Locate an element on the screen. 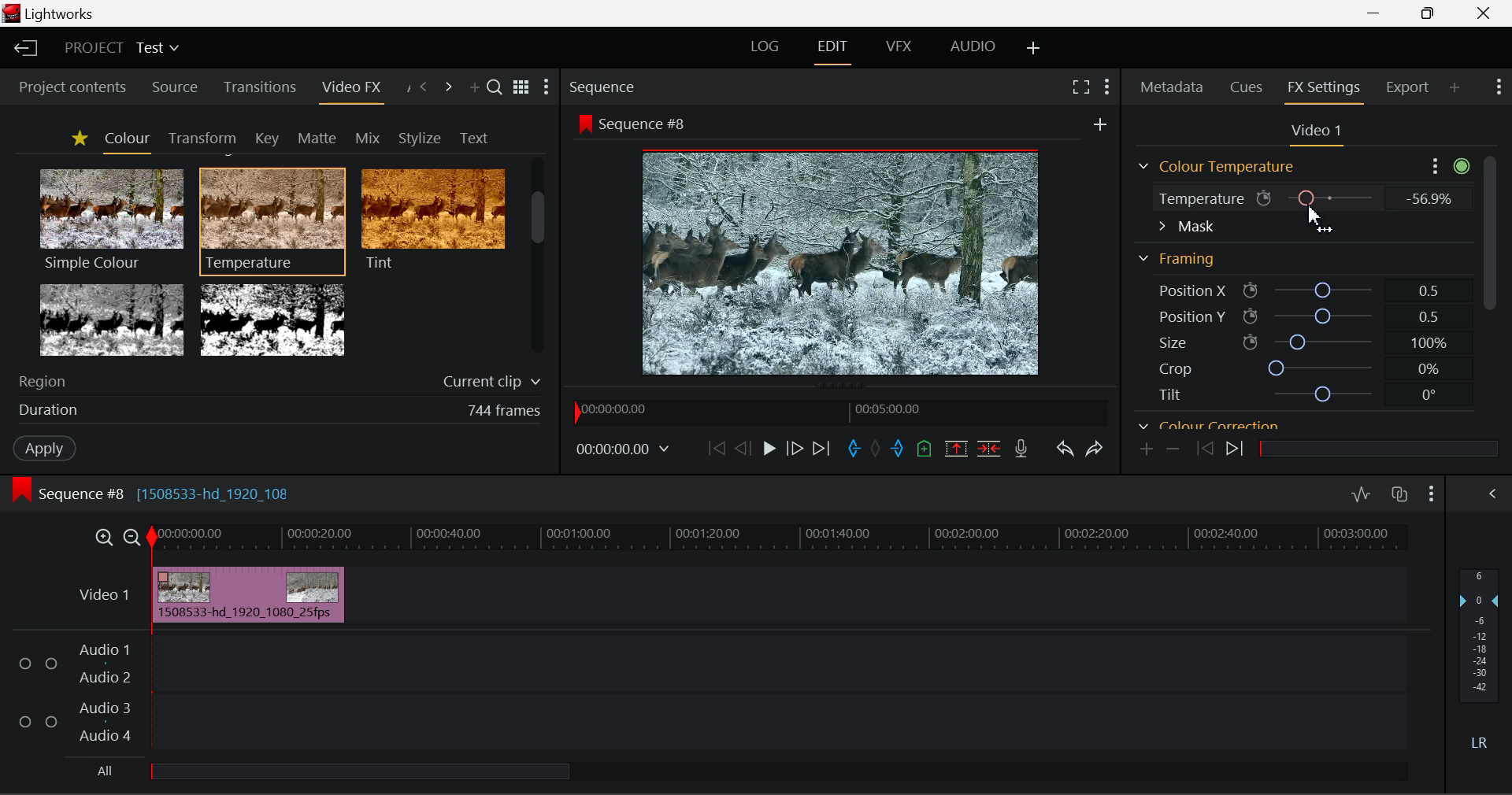  Matte is located at coordinates (317, 138).